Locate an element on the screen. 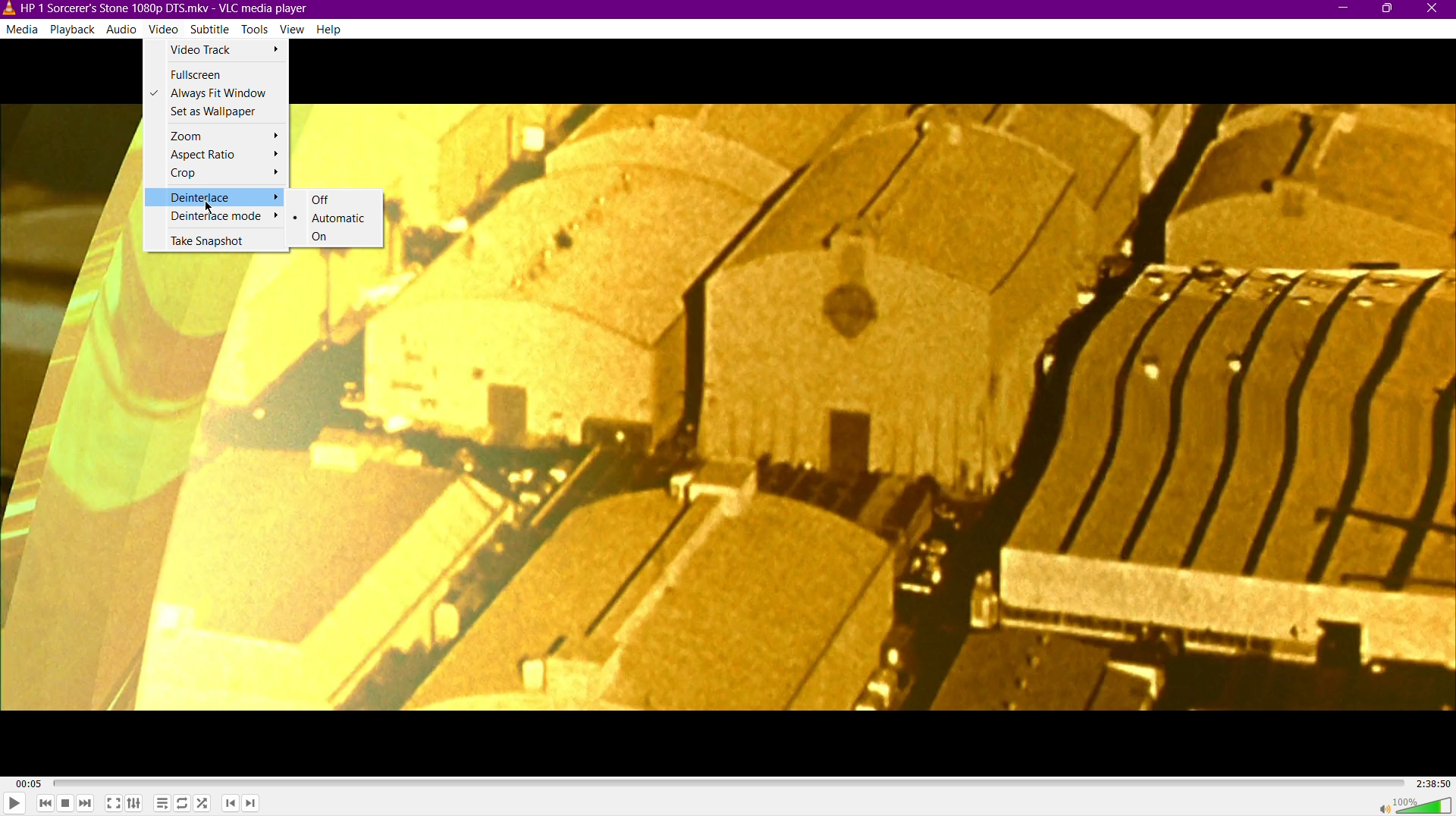 This screenshot has width=1456, height=816. Video Track is located at coordinates (217, 49).